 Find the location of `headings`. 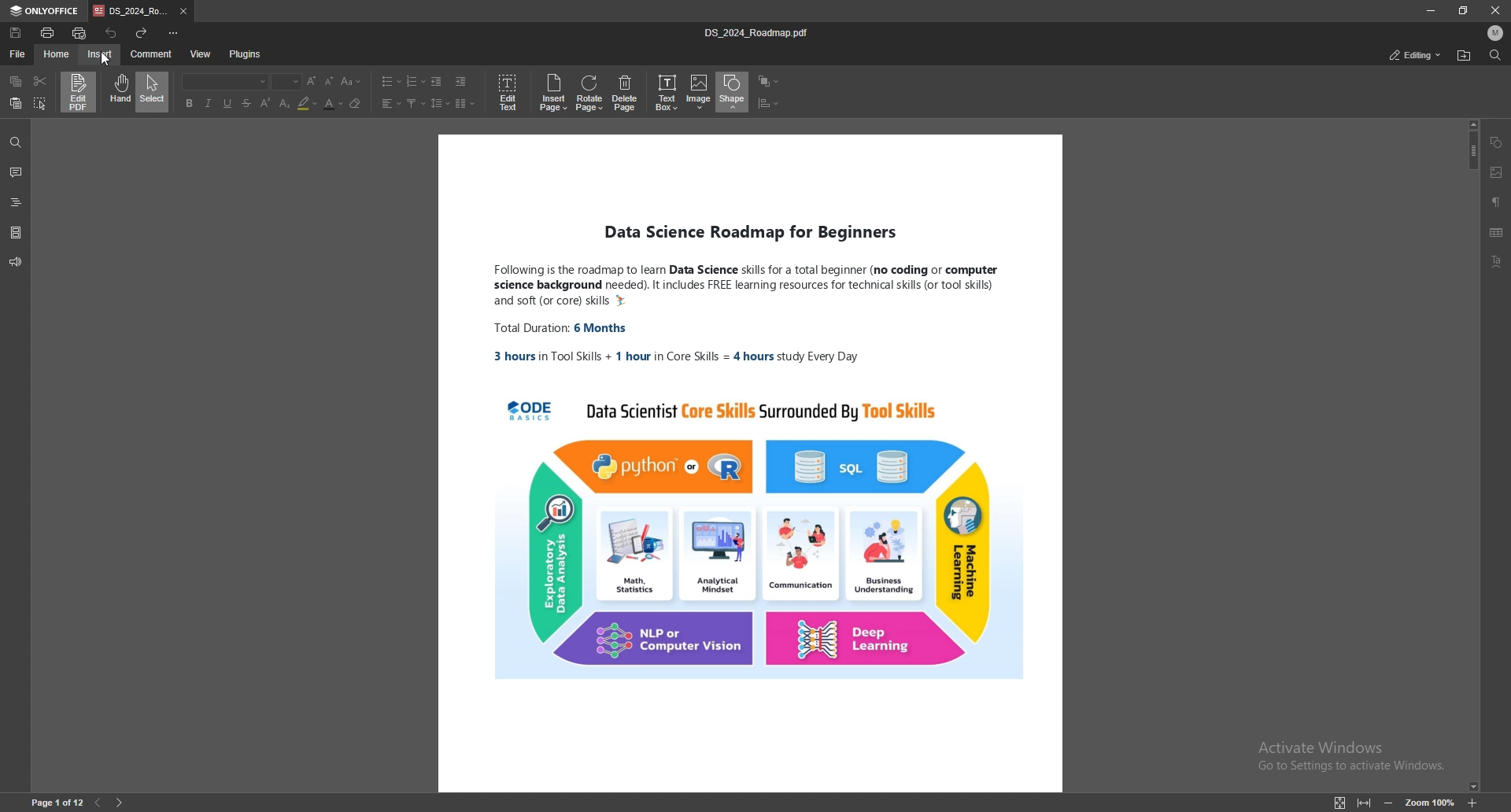

headings is located at coordinates (17, 200).